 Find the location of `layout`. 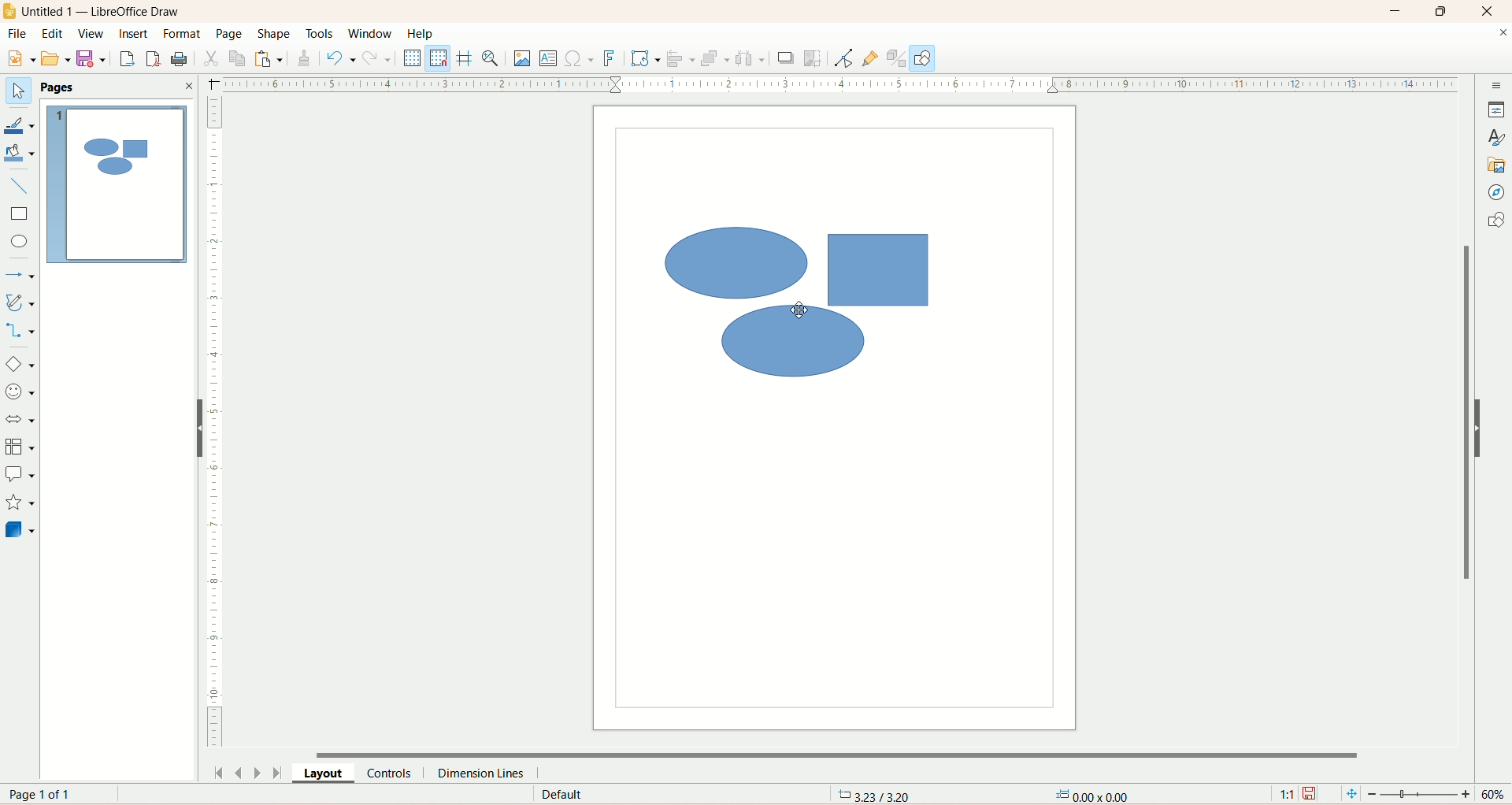

layout is located at coordinates (324, 771).